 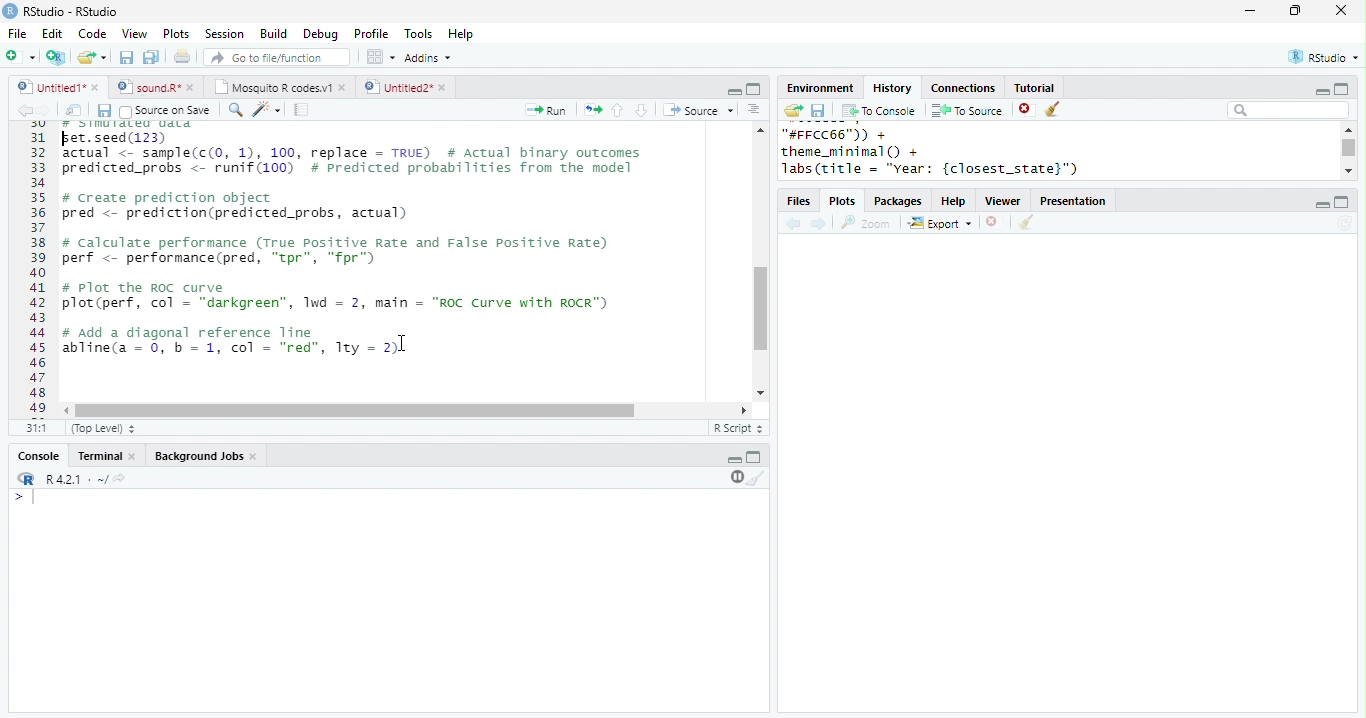 I want to click on scroll left, so click(x=68, y=411).